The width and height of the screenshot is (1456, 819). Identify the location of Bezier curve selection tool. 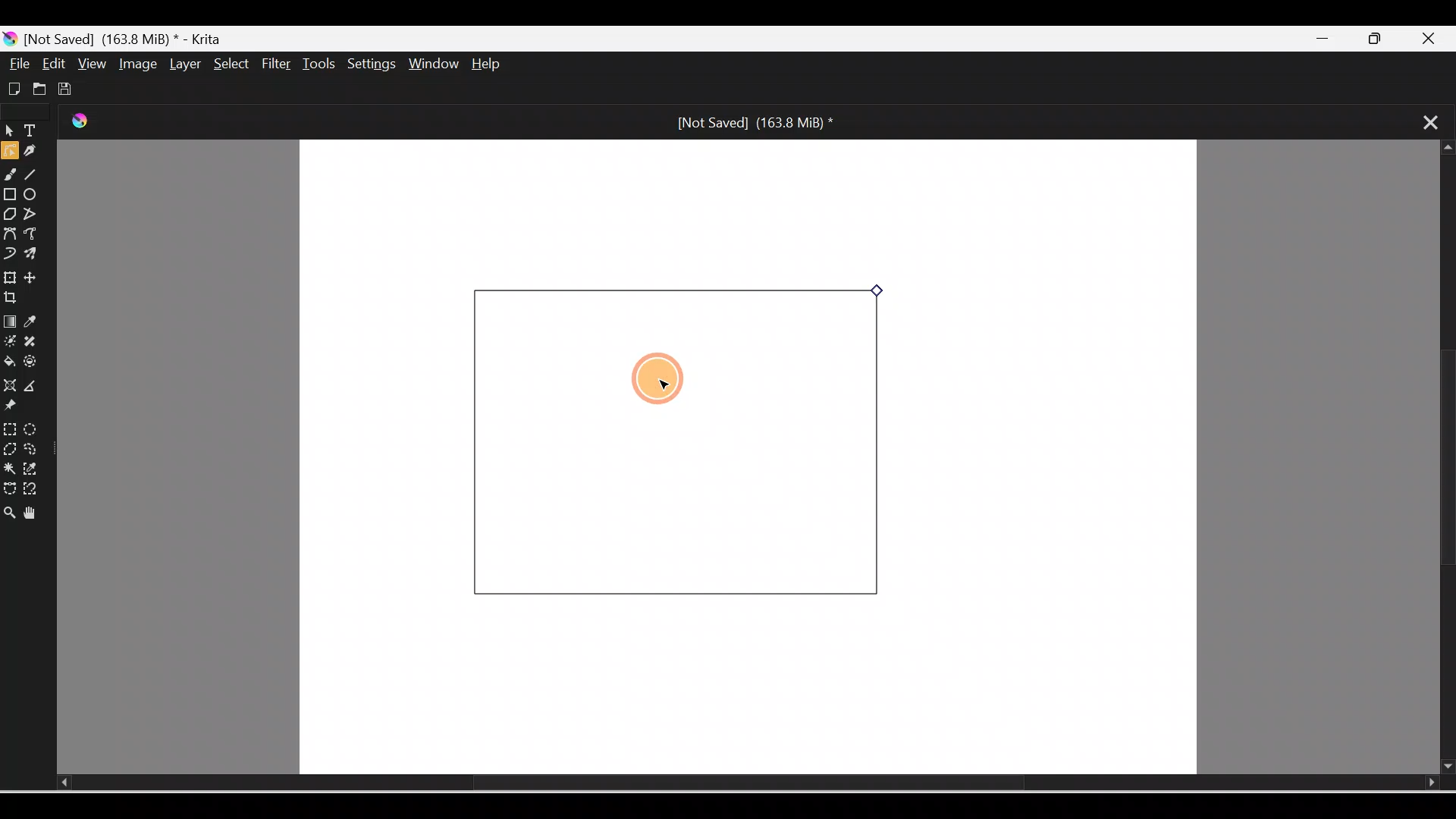
(9, 485).